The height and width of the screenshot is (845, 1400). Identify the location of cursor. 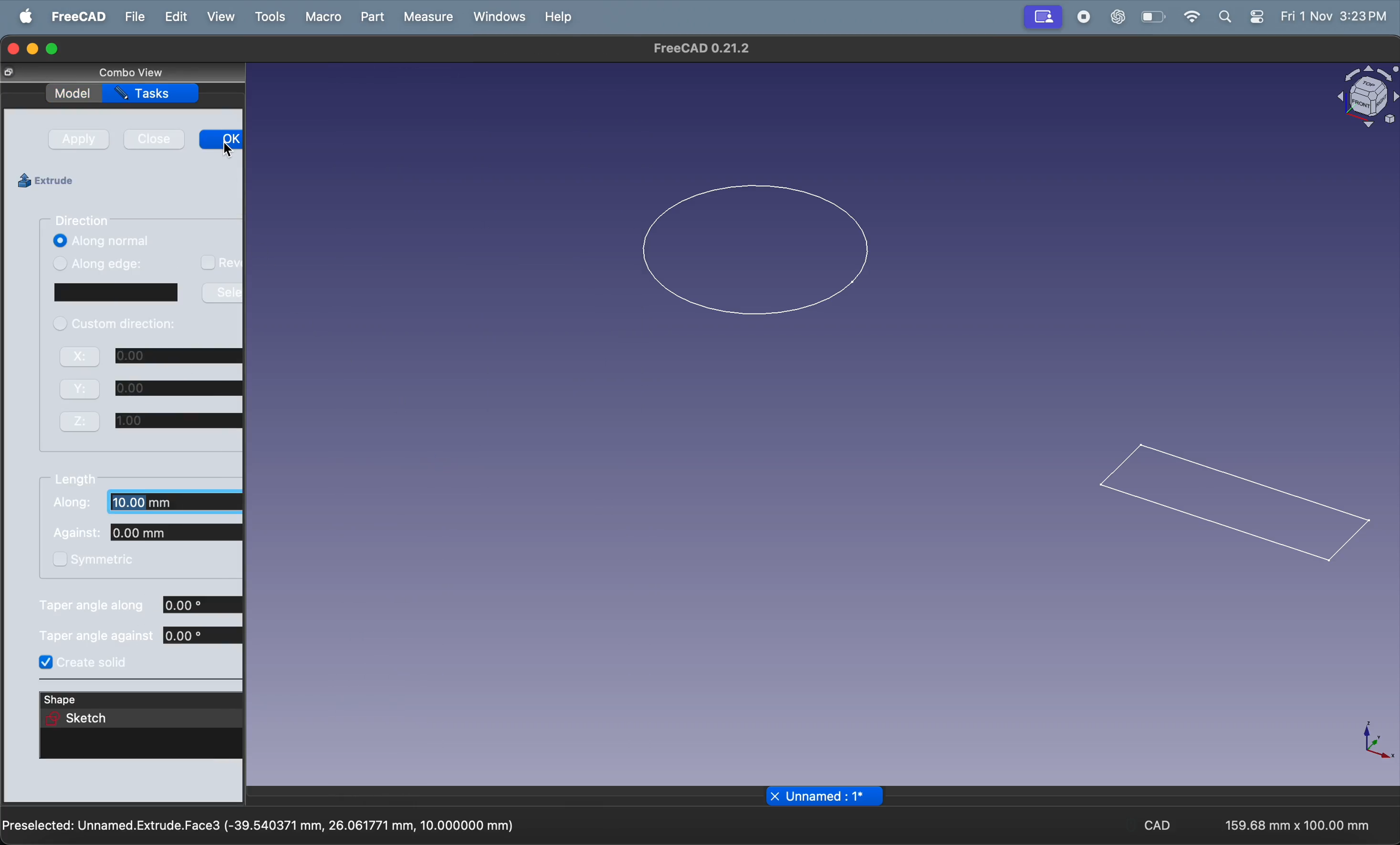
(228, 150).